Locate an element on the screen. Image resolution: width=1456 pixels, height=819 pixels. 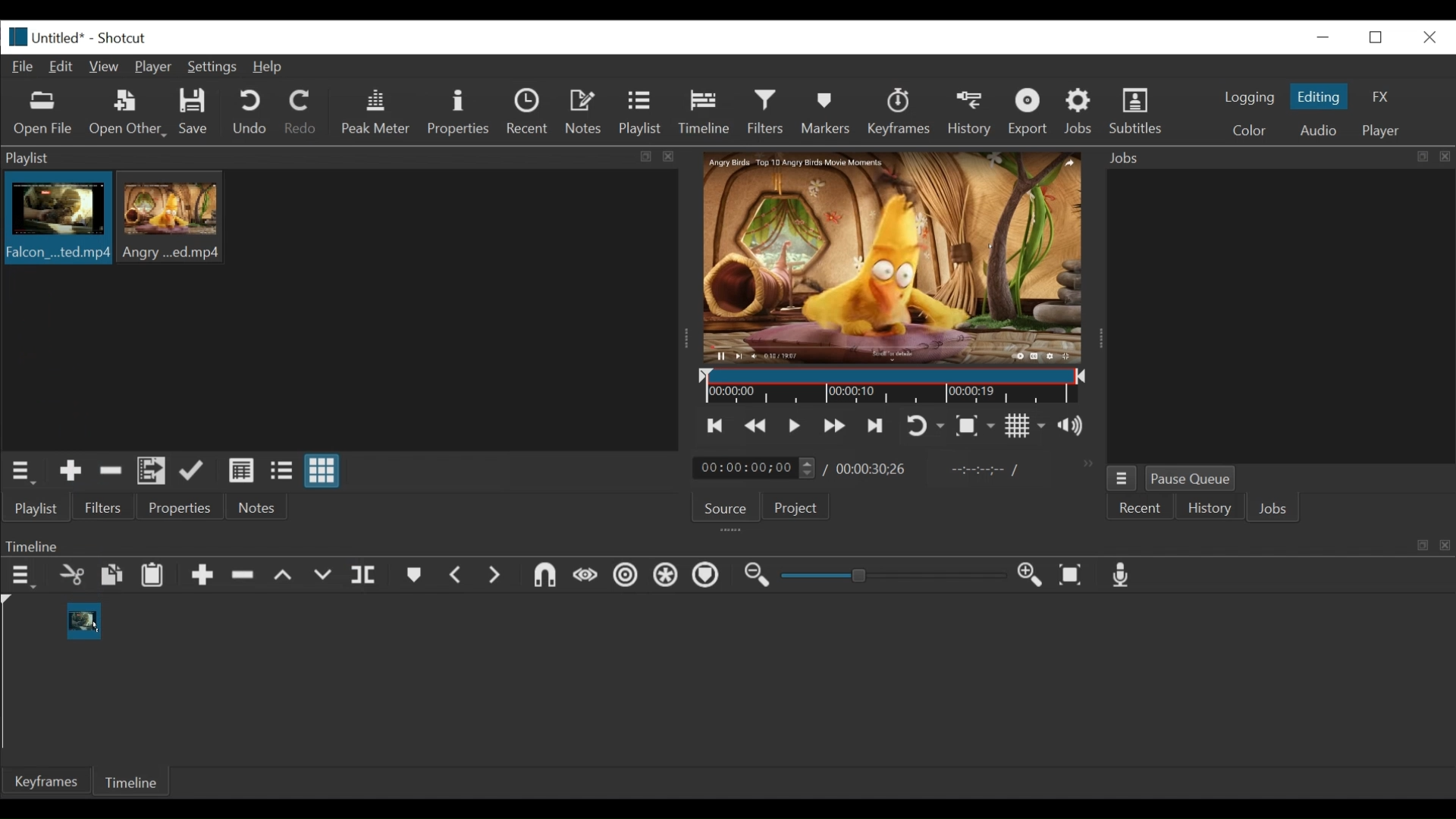
skip to the next point is located at coordinates (877, 425).